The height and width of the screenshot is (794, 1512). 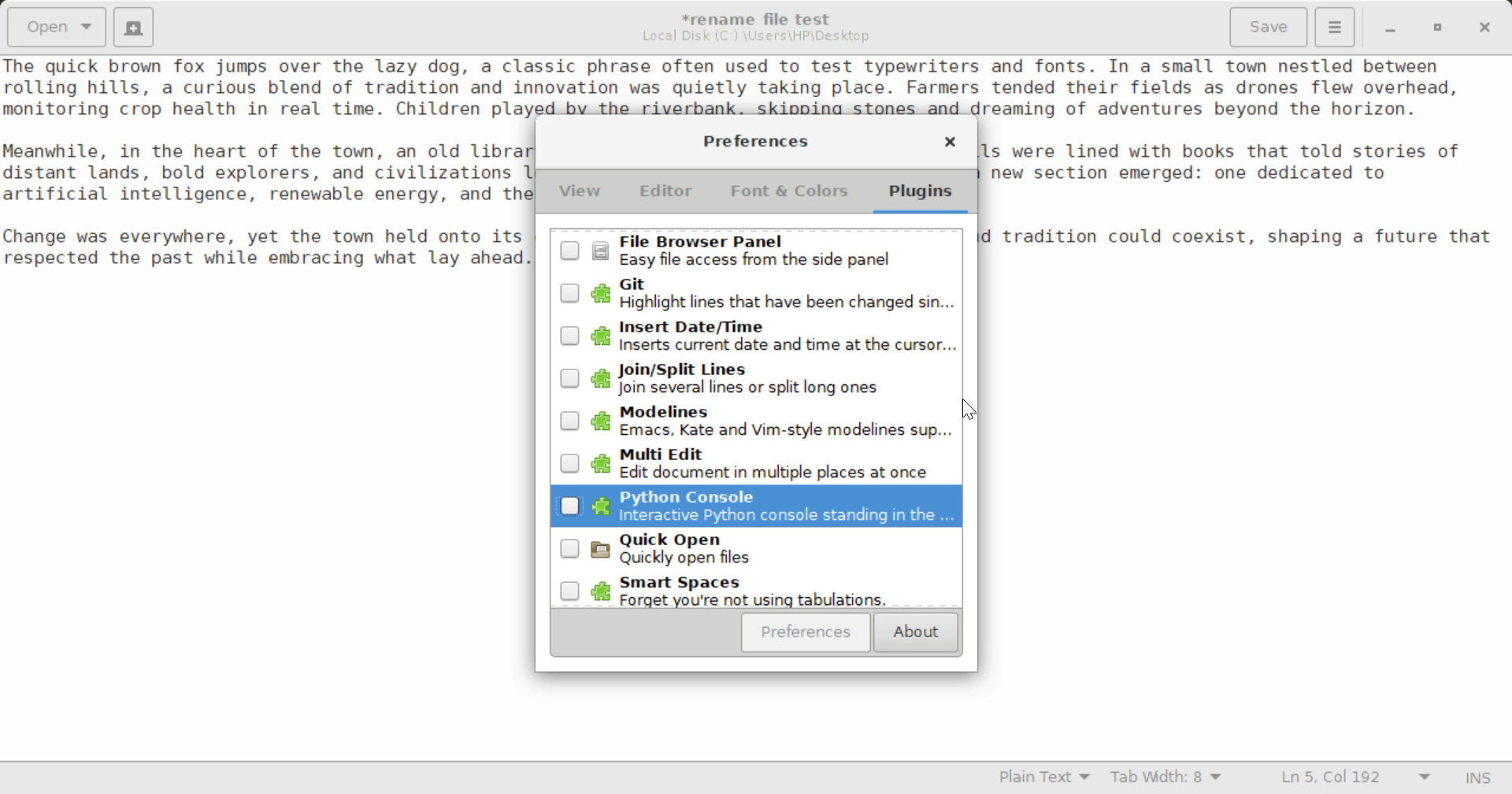 What do you see at coordinates (756, 86) in the screenshot?
I see `Sample text about a charming town` at bounding box center [756, 86].